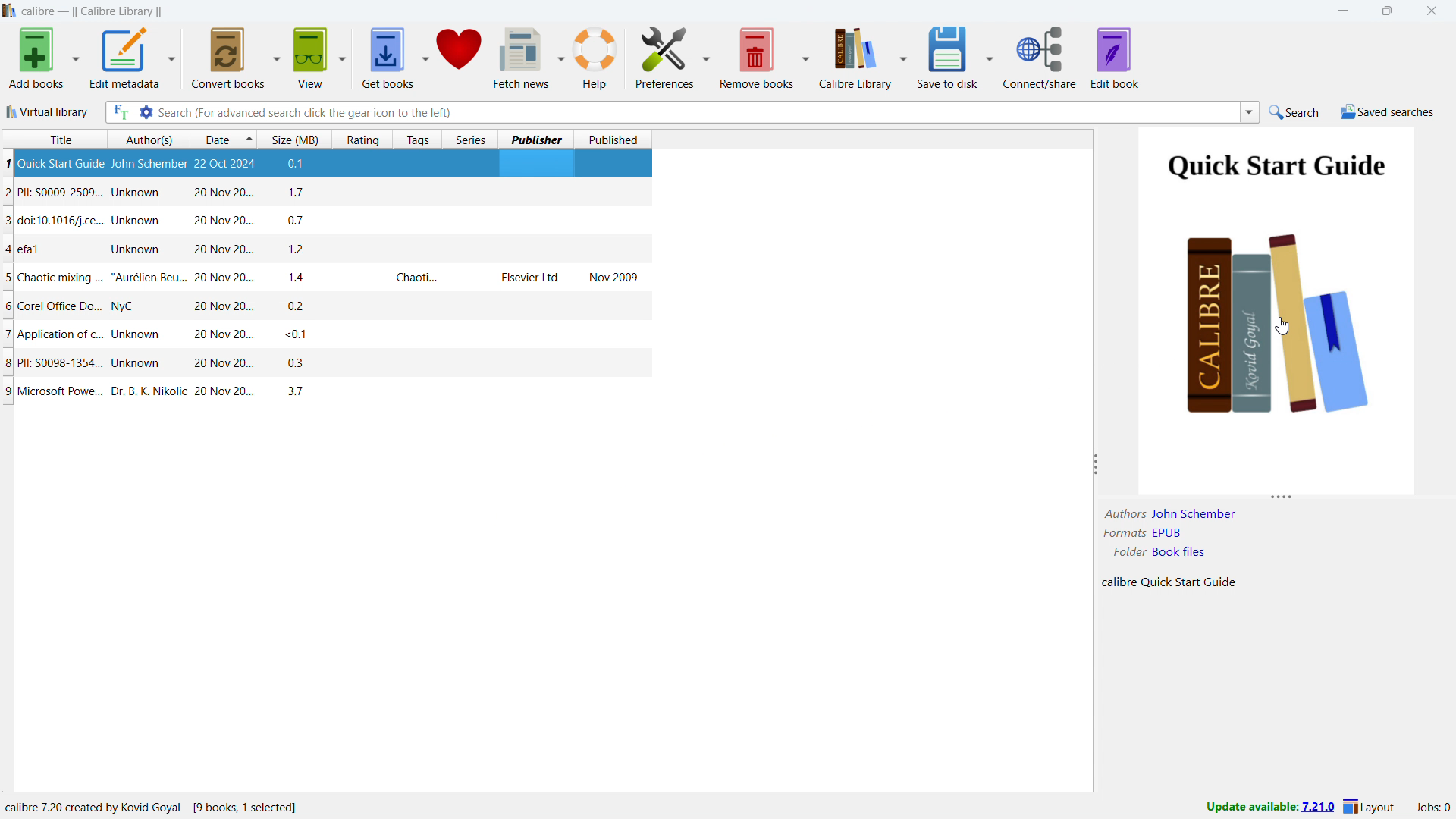 This screenshot has width=1456, height=819. I want to click on Image , so click(1278, 311).